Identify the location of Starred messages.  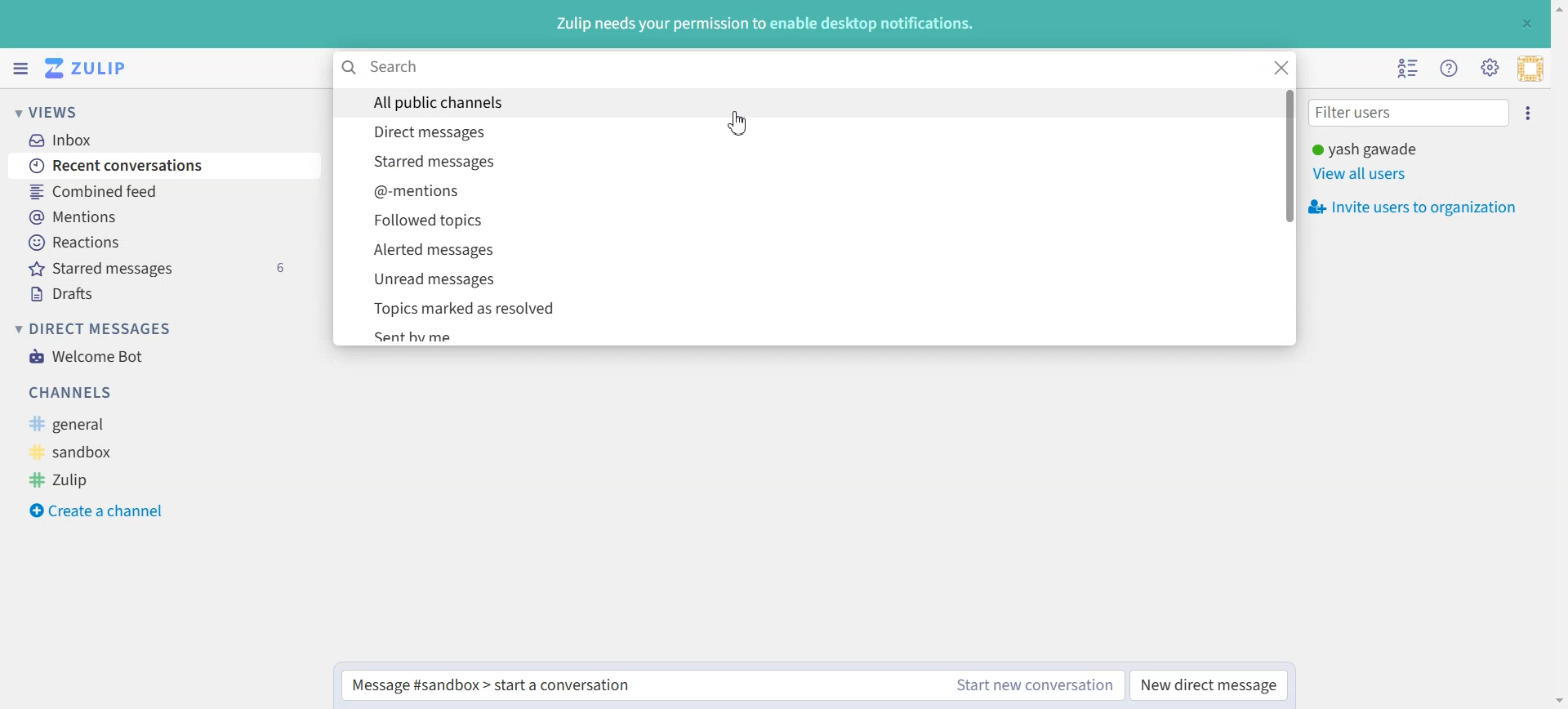
(163, 267).